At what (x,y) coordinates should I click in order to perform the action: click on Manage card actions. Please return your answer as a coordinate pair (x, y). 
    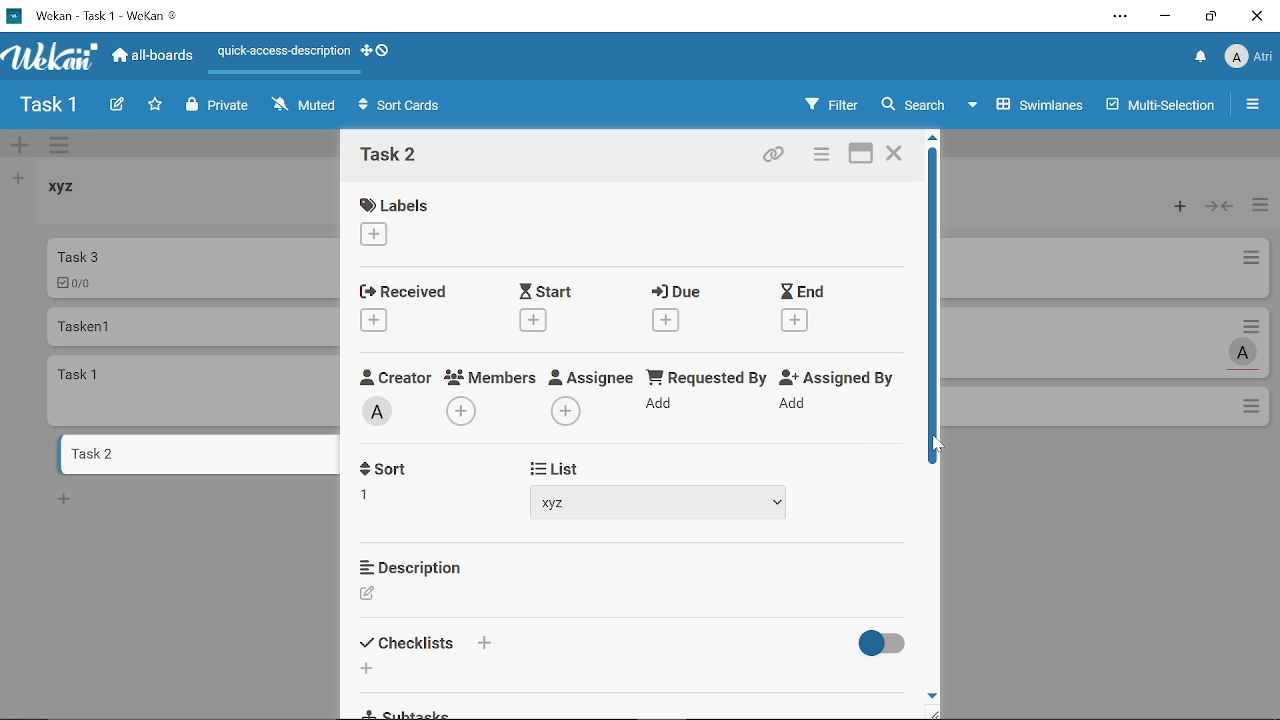
    Looking at the image, I should click on (1260, 207).